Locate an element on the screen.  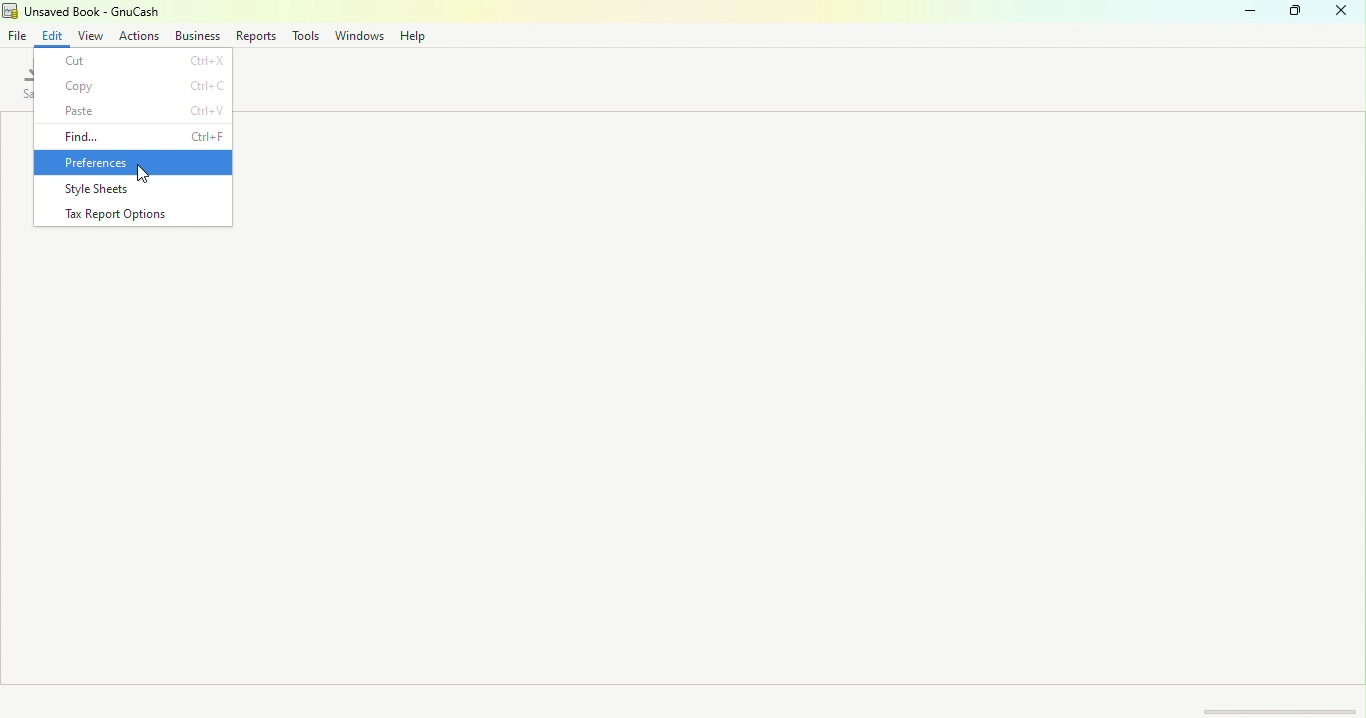
Actions is located at coordinates (137, 34).